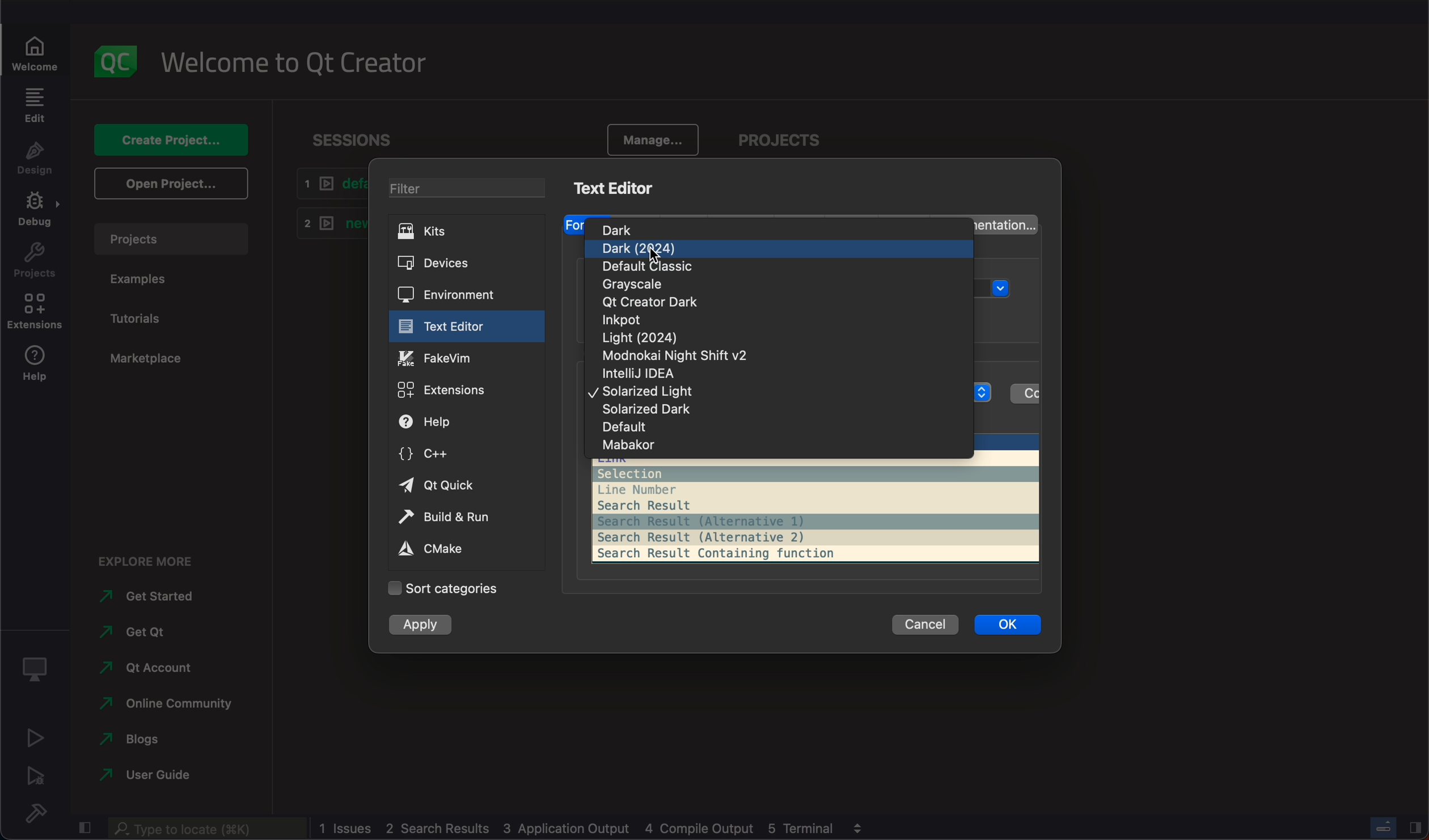 The height and width of the screenshot is (840, 1429). Describe the element at coordinates (356, 136) in the screenshot. I see `sessions` at that location.